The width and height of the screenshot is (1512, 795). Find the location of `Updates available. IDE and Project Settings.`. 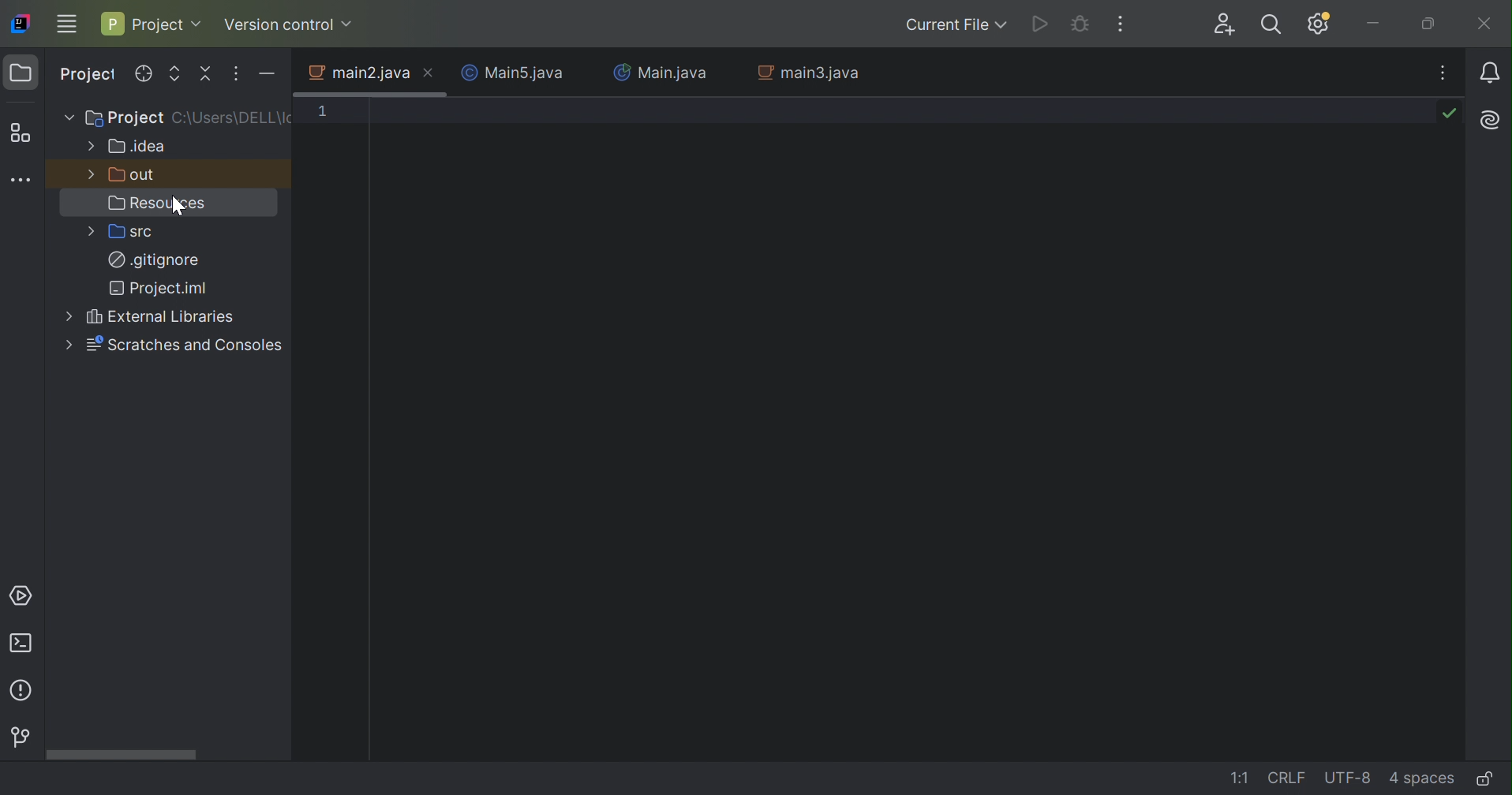

Updates available. IDE and Project Settings. is located at coordinates (1319, 25).